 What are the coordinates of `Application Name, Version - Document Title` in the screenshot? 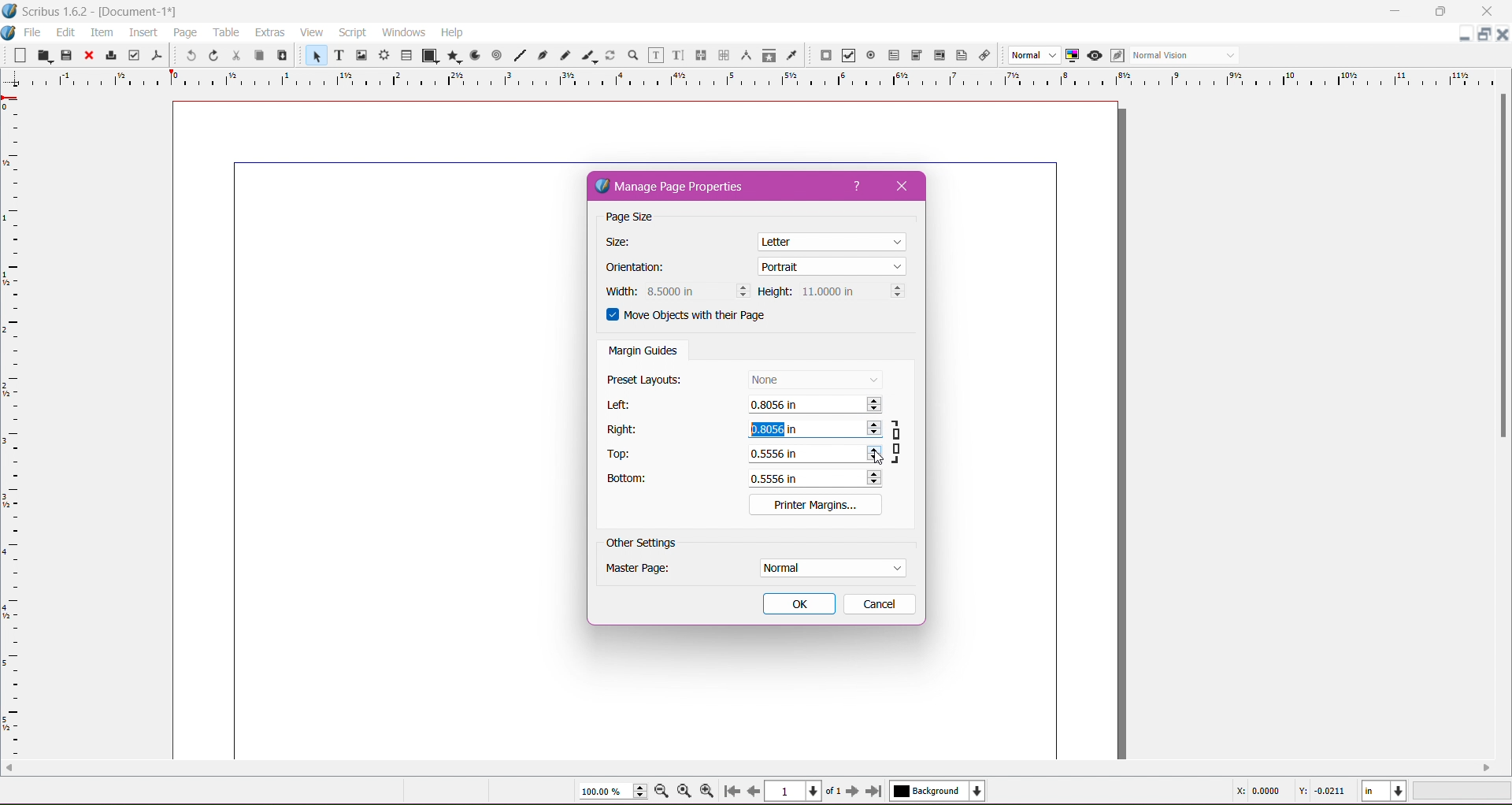 It's located at (106, 12).